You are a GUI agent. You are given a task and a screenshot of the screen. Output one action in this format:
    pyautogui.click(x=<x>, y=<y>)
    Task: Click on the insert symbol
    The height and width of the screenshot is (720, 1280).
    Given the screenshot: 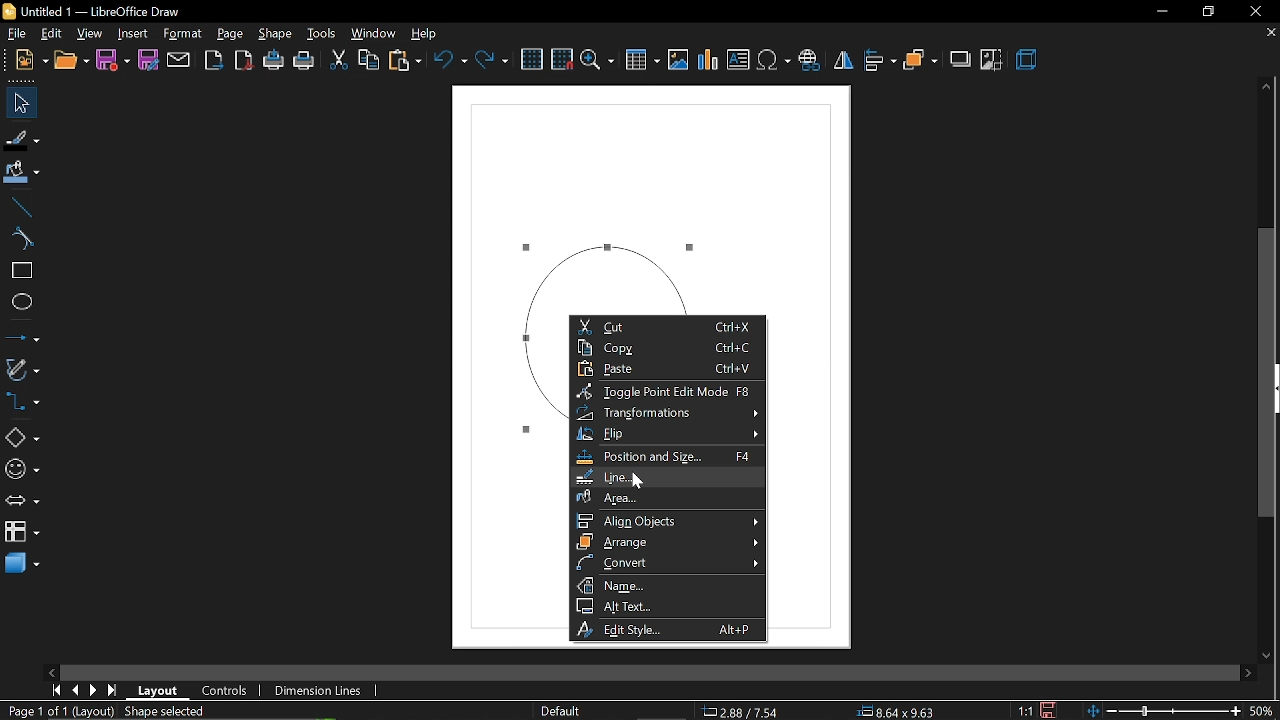 What is the action you would take?
    pyautogui.click(x=773, y=60)
    